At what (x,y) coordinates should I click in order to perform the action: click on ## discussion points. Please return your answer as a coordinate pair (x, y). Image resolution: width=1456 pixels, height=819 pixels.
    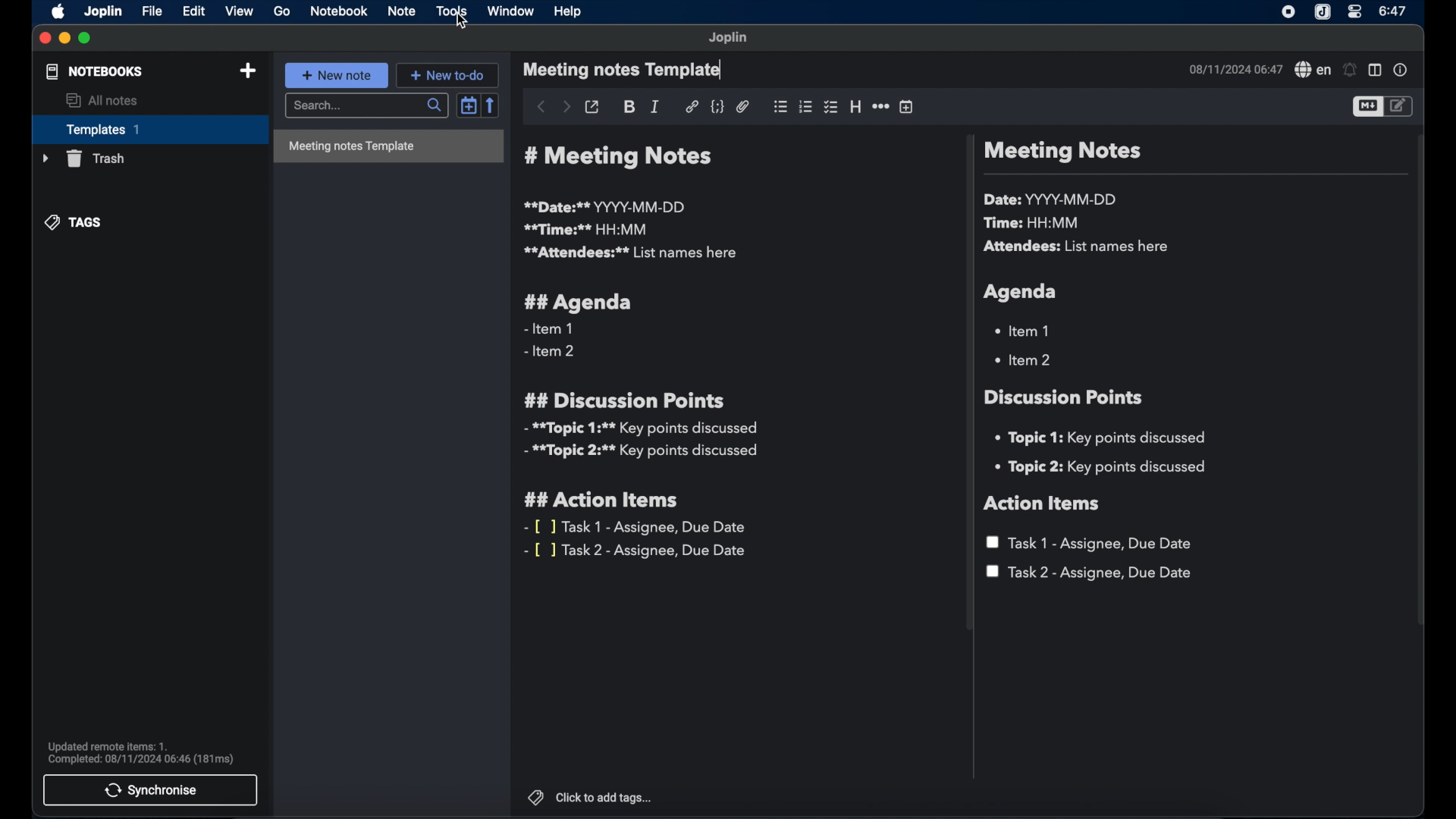
    Looking at the image, I should click on (624, 400).